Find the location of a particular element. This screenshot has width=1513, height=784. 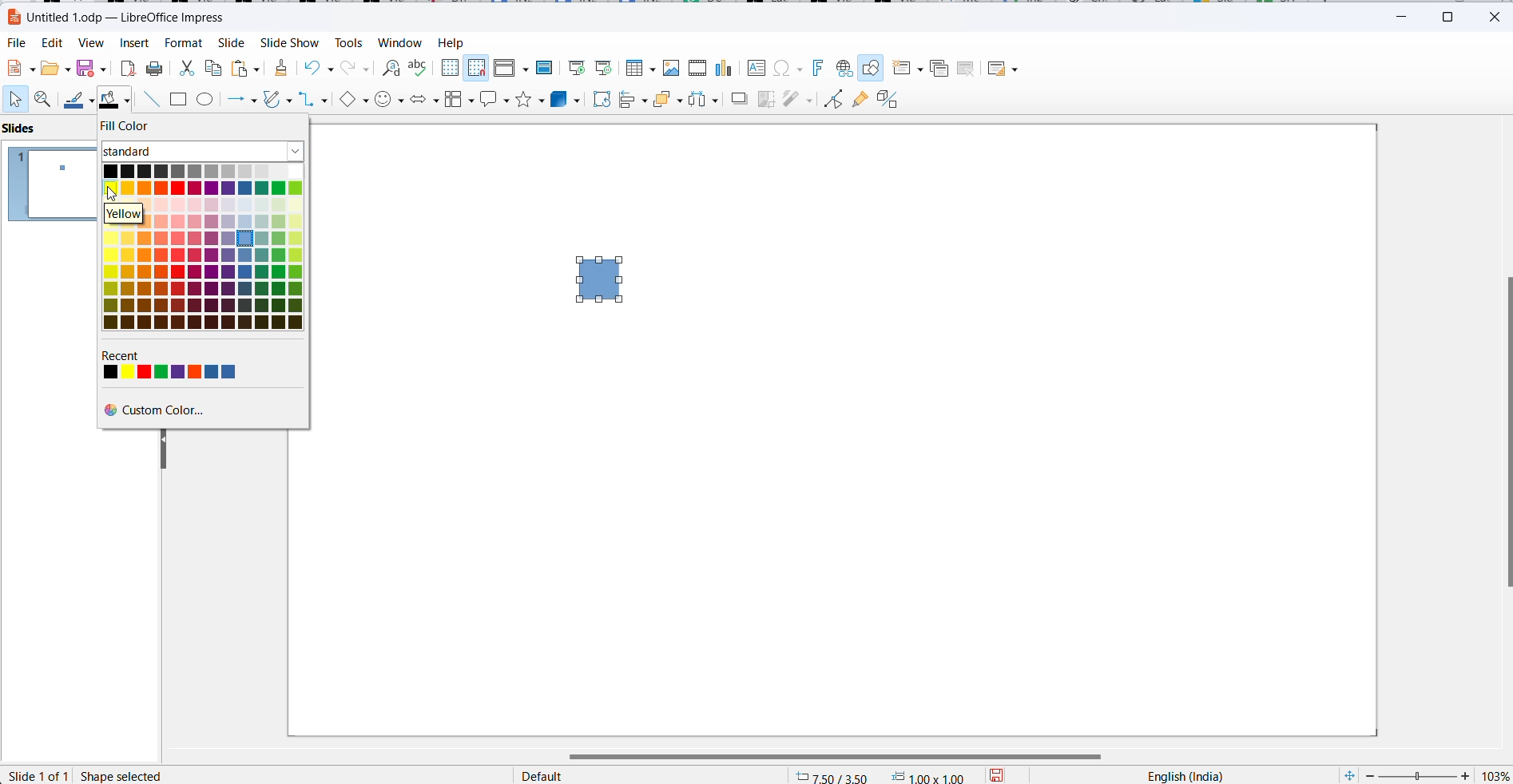

paste options is located at coordinates (245, 69).